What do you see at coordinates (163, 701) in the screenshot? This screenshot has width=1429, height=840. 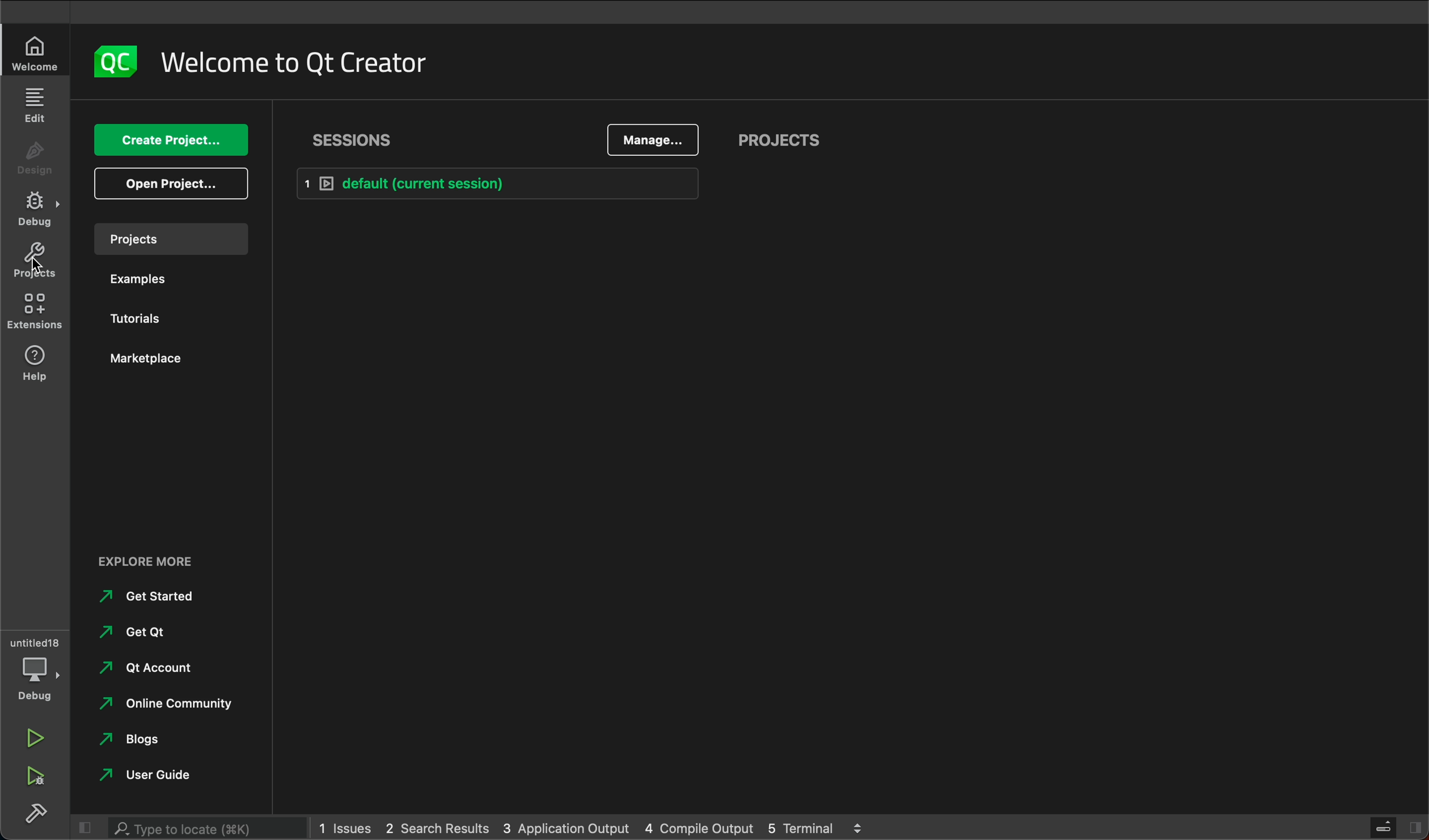 I see `Online Community` at bounding box center [163, 701].